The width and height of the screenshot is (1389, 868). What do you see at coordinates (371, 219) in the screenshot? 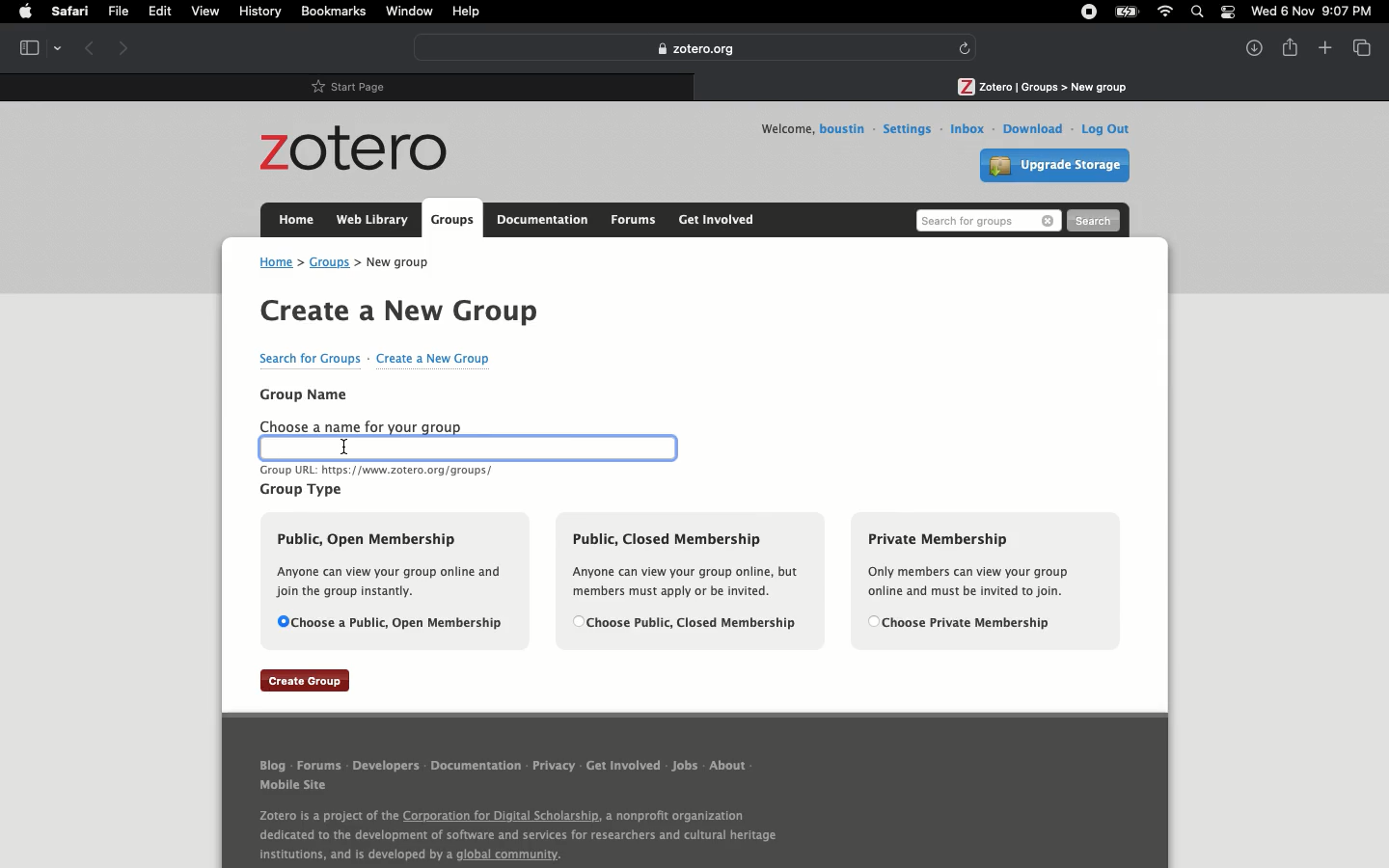
I see `Web library` at bounding box center [371, 219].